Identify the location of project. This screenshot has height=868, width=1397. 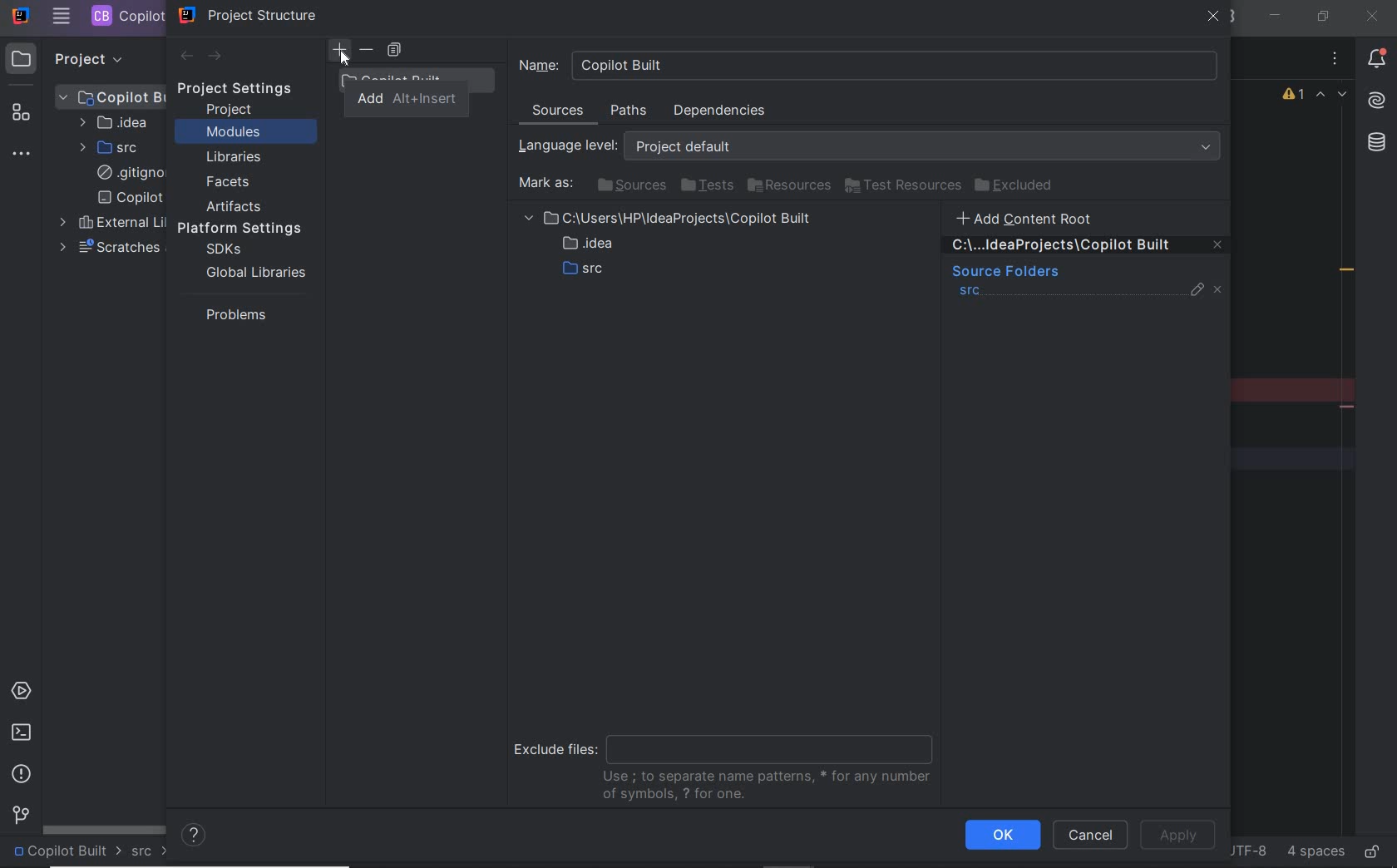
(230, 110).